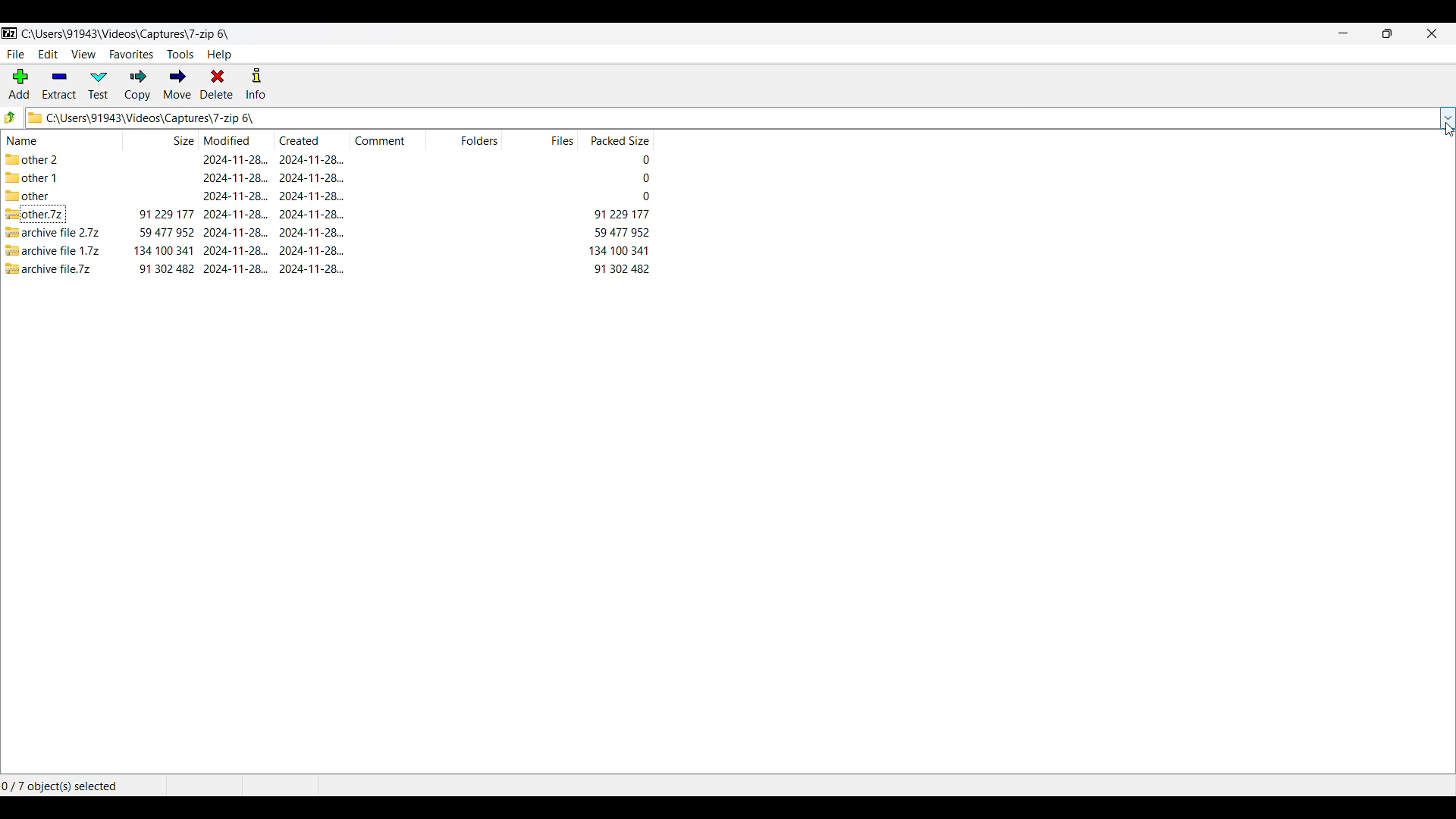  I want to click on created date & time, so click(312, 268).